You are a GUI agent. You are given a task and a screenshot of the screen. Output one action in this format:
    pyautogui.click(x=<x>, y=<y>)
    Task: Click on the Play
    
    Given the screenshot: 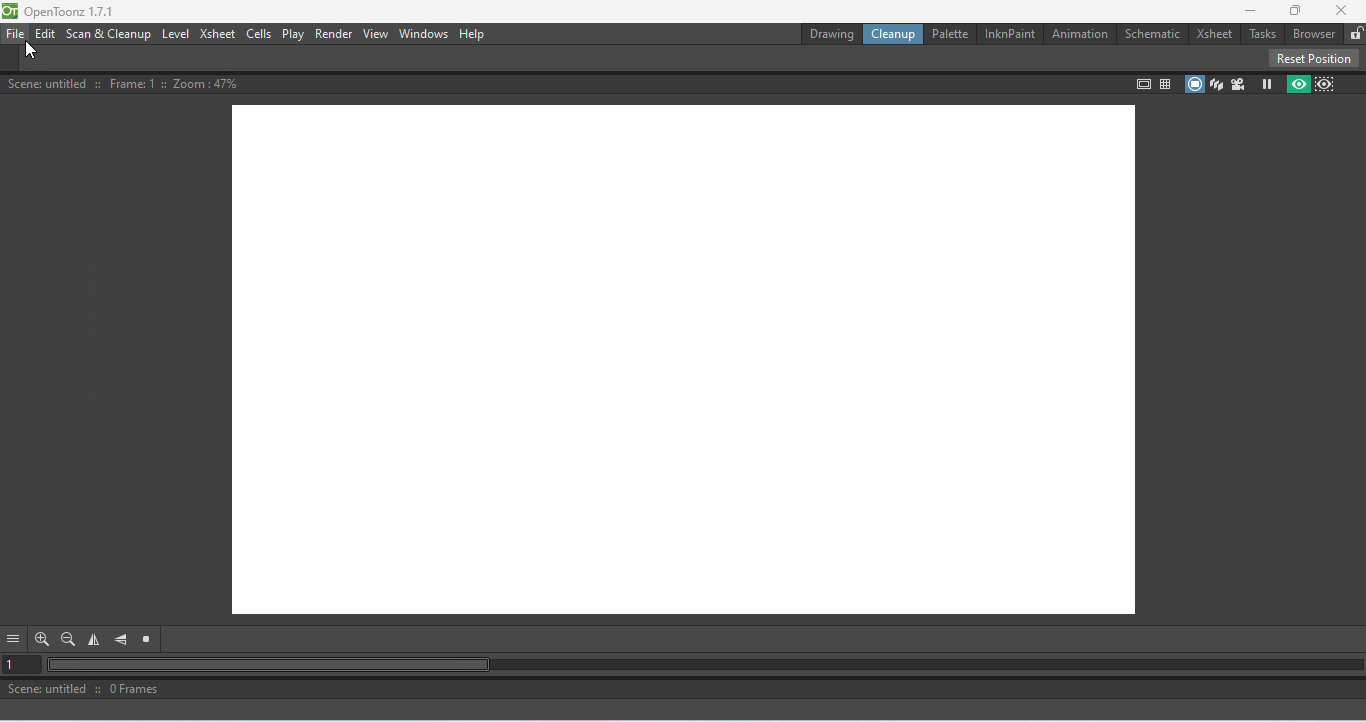 What is the action you would take?
    pyautogui.click(x=294, y=34)
    